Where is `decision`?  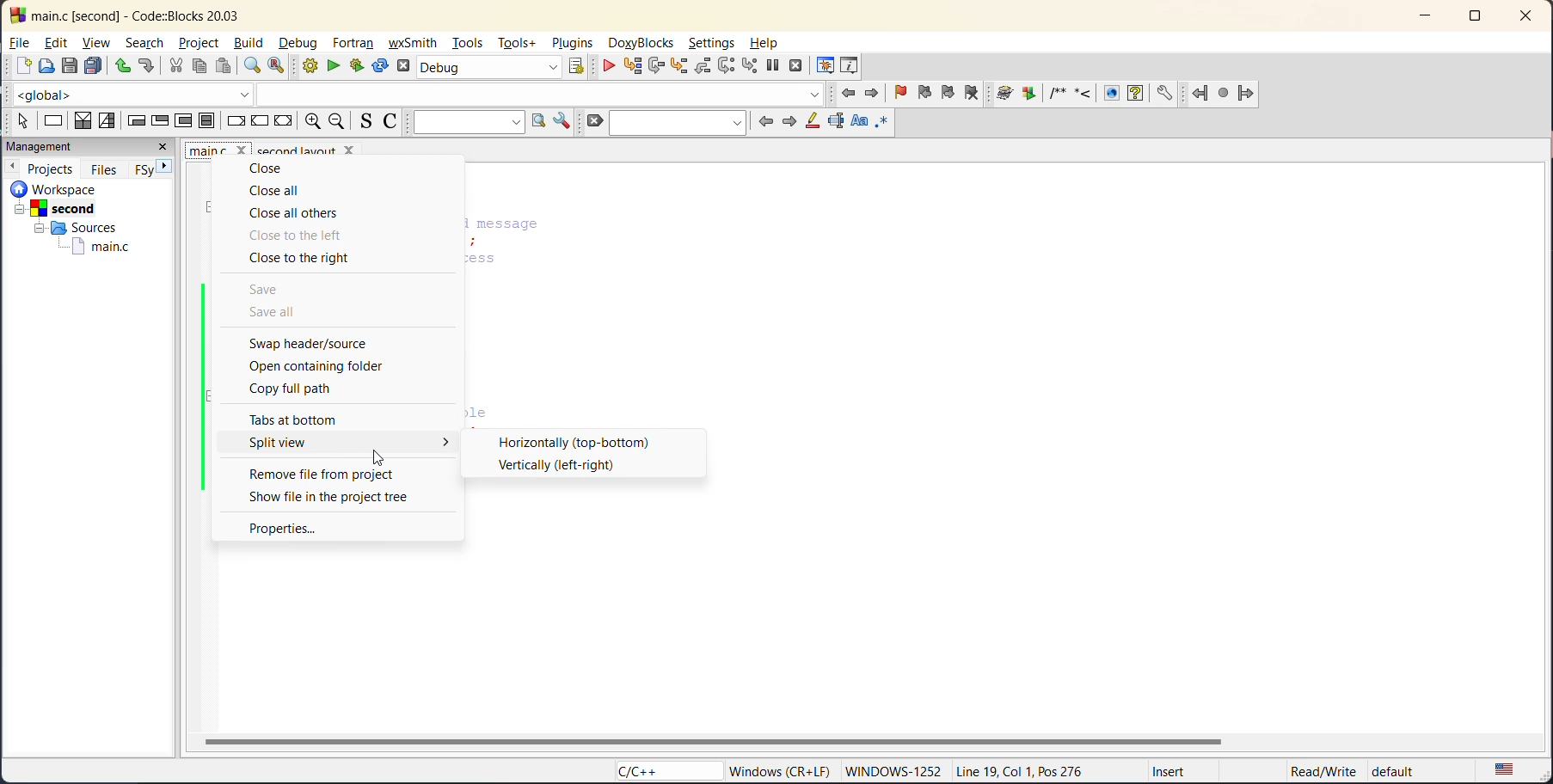
decision is located at coordinates (82, 119).